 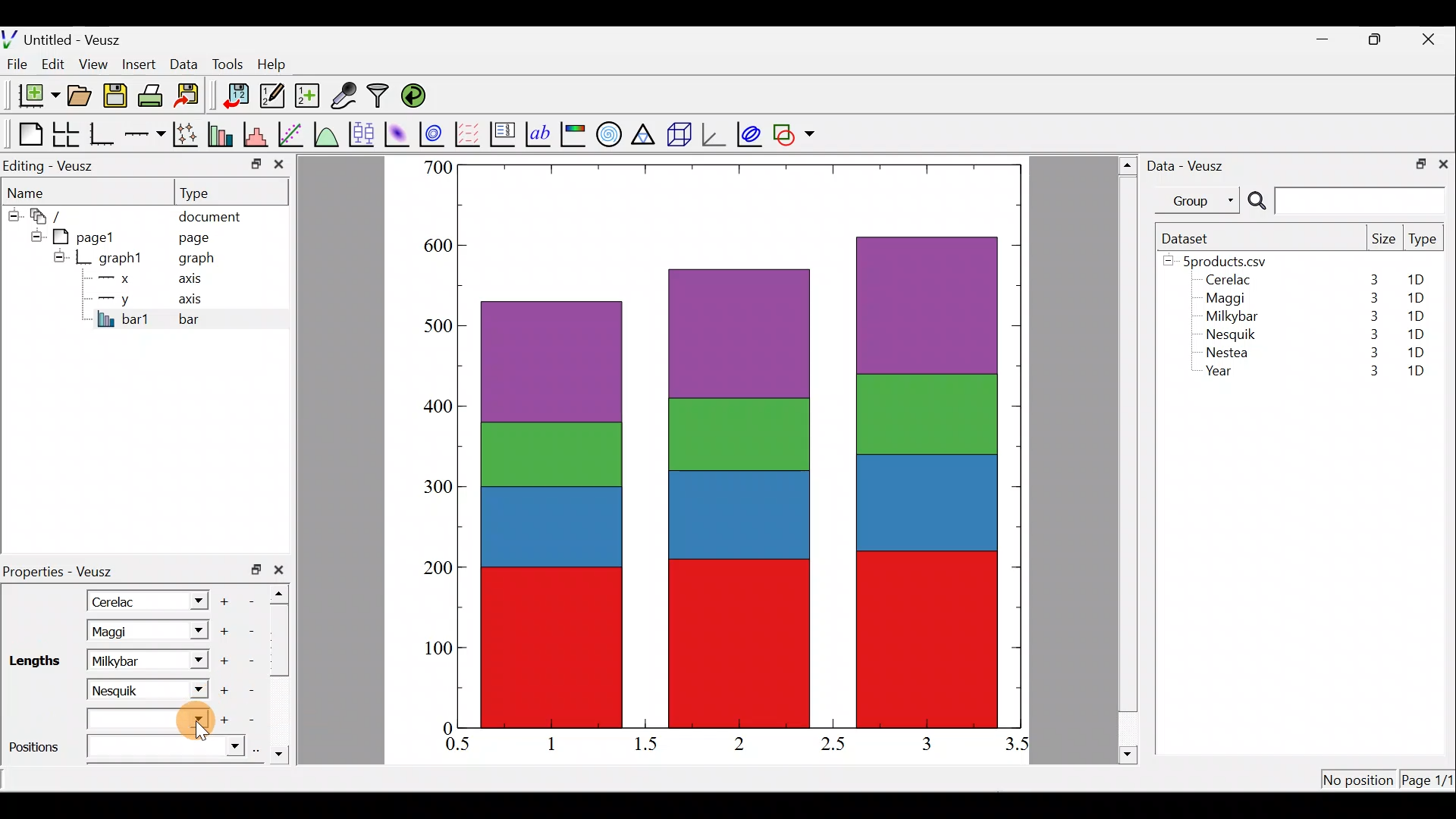 What do you see at coordinates (155, 95) in the screenshot?
I see `Print the document` at bounding box center [155, 95].